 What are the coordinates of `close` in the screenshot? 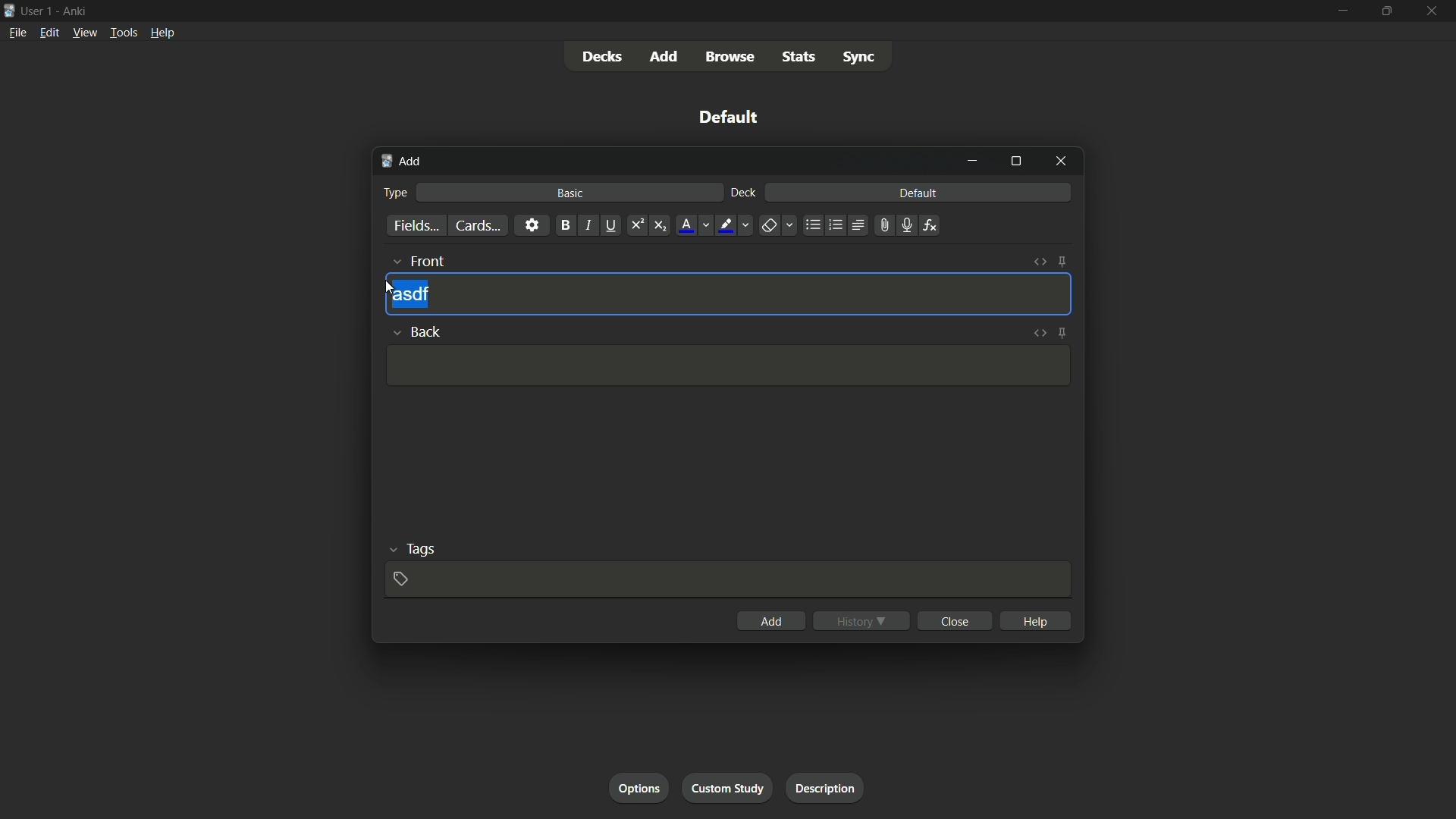 It's located at (955, 620).